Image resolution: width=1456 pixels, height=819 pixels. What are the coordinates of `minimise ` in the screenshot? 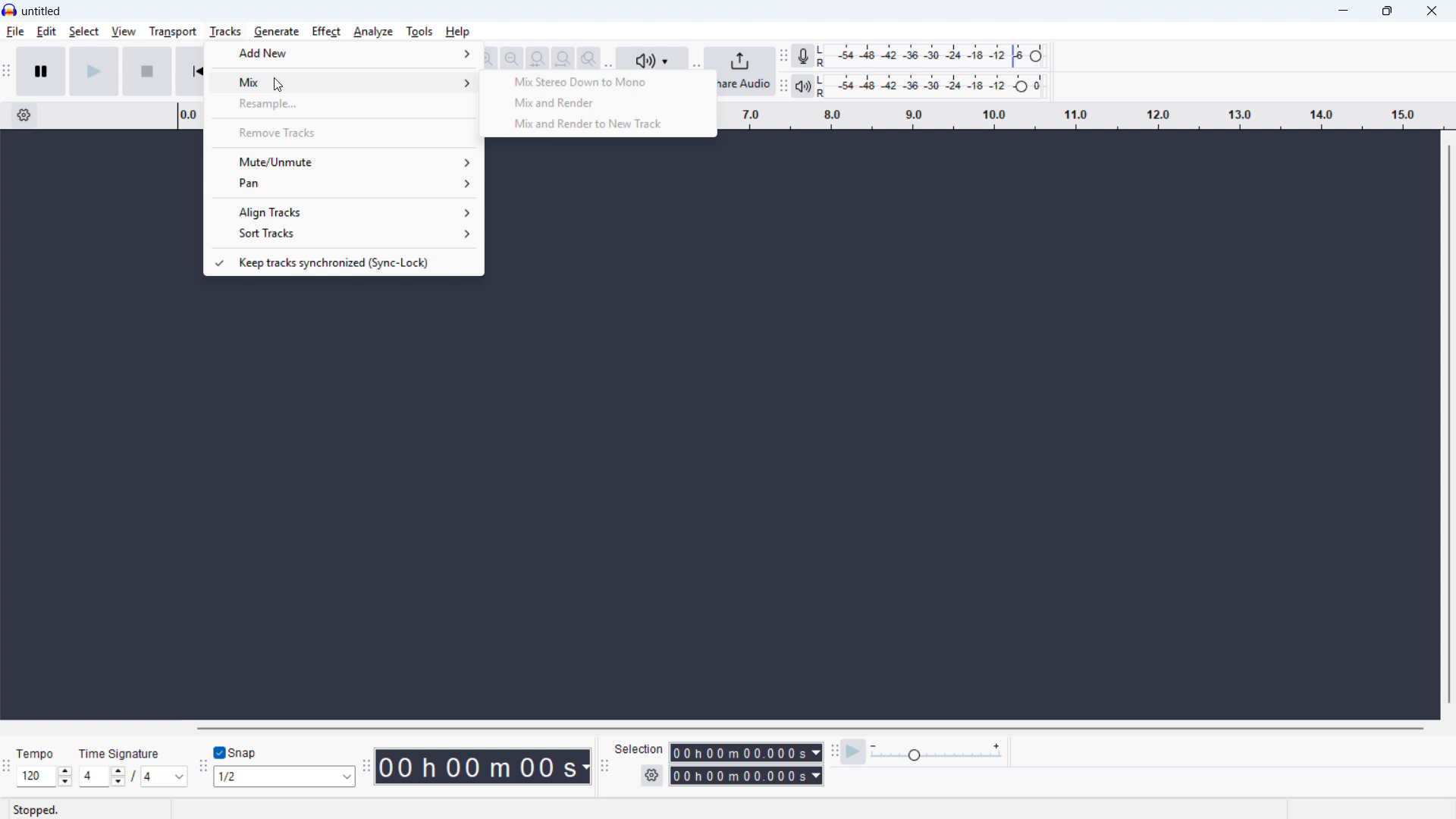 It's located at (1340, 11).